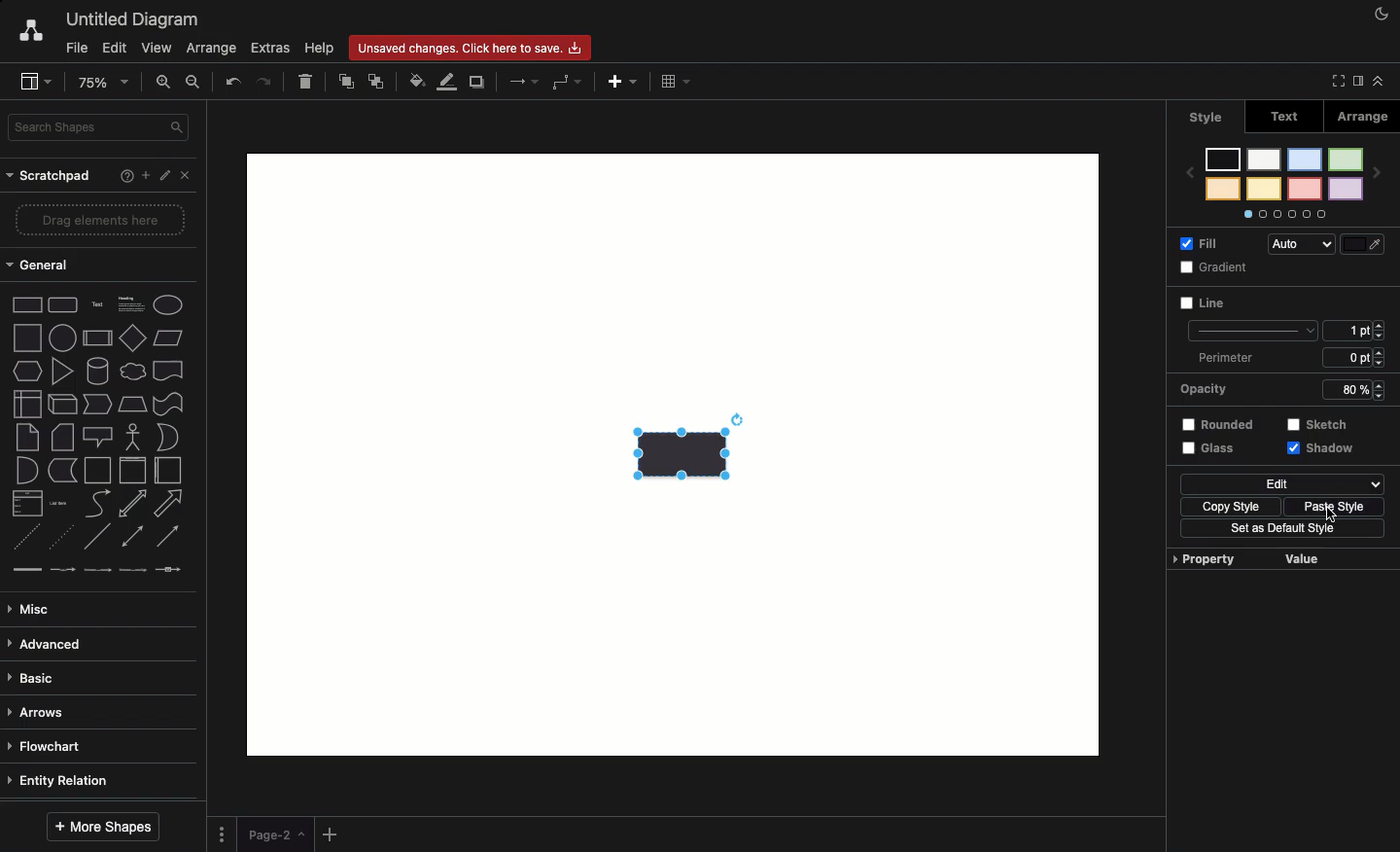  What do you see at coordinates (122, 176) in the screenshot?
I see `Help` at bounding box center [122, 176].